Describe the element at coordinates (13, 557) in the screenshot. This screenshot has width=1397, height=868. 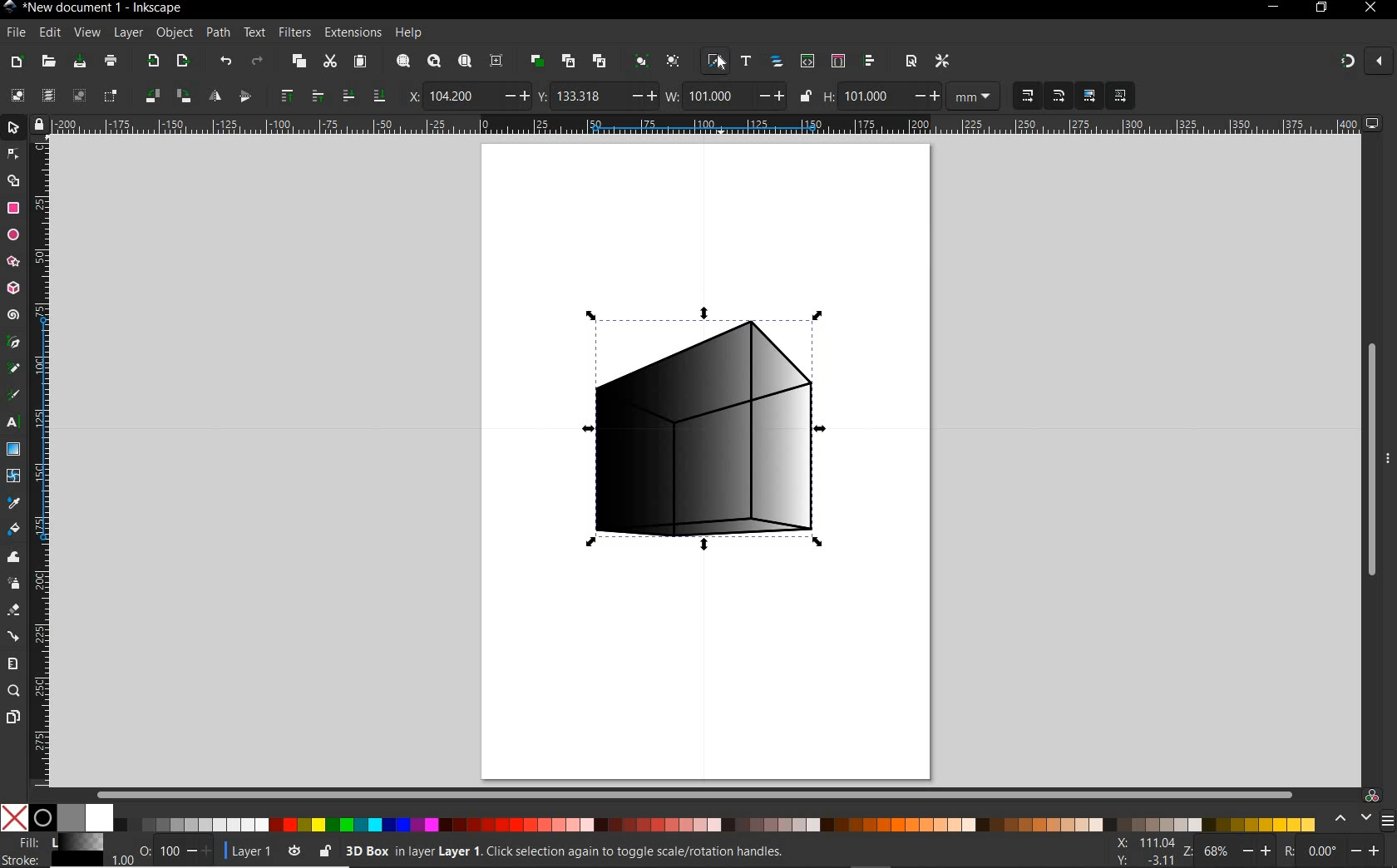
I see `TWEAK TOOL` at that location.